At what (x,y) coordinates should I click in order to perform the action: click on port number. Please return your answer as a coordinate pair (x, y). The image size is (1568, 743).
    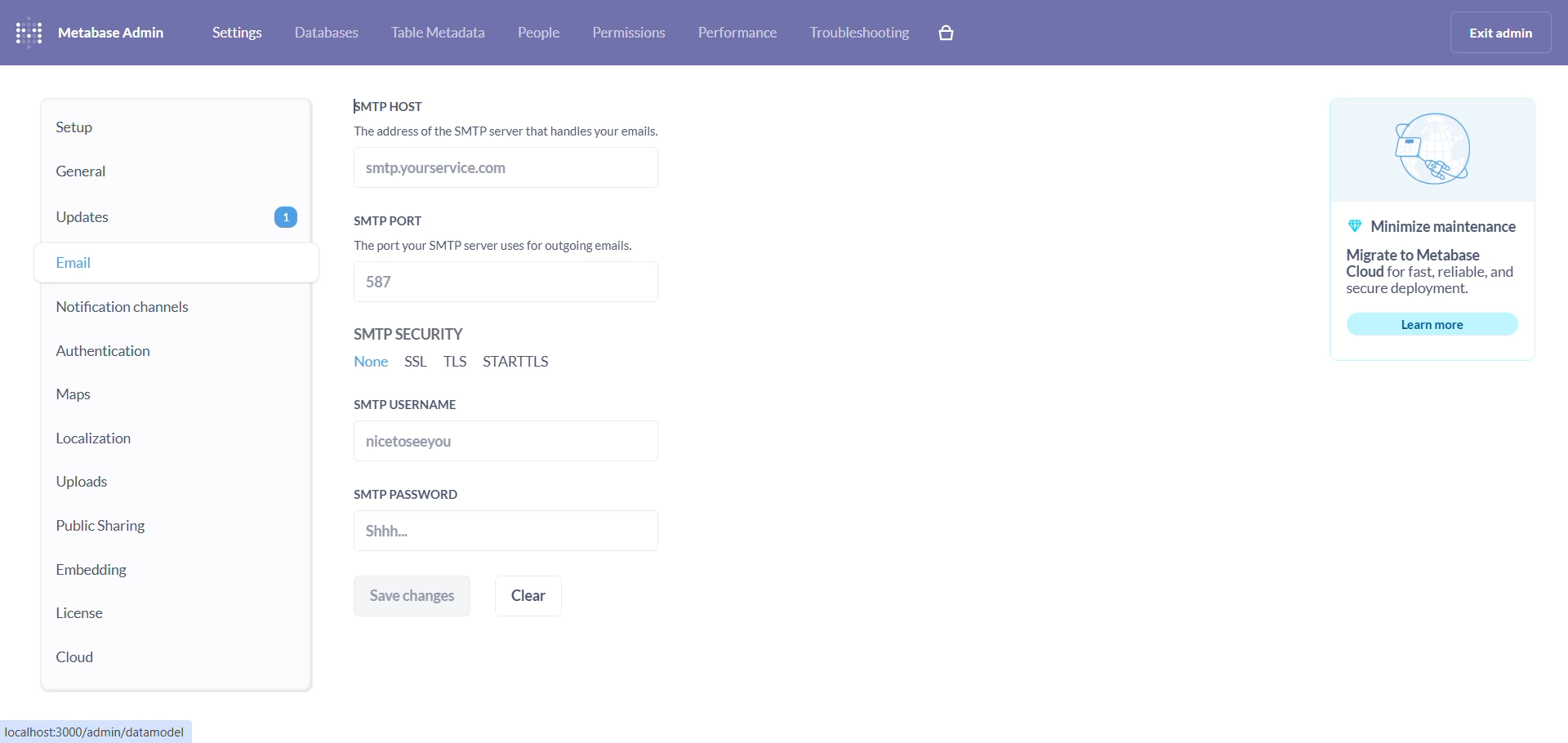
    Looking at the image, I should click on (510, 287).